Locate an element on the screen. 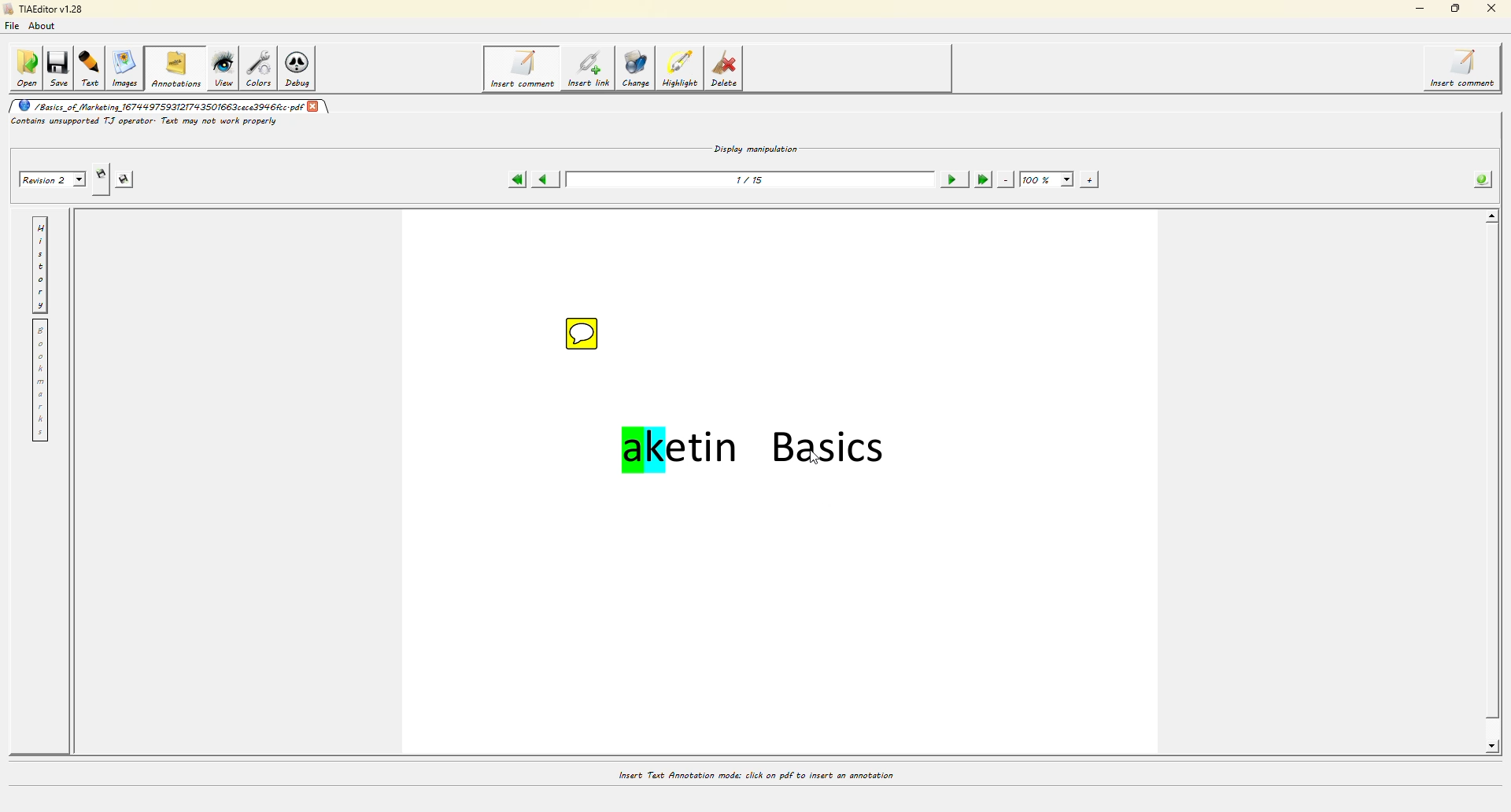 The image size is (1511, 812). insert link is located at coordinates (588, 71).